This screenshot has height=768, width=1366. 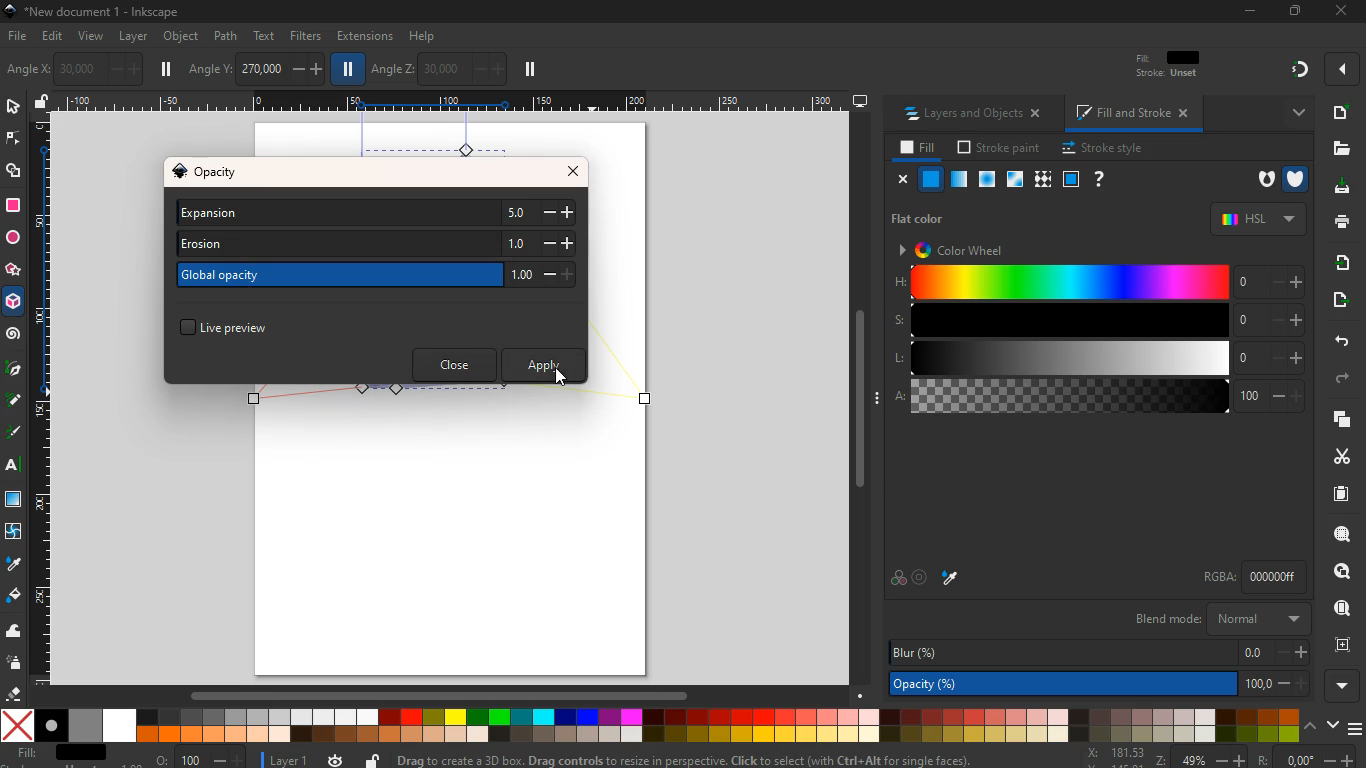 I want to click on frame, so click(x=1342, y=645).